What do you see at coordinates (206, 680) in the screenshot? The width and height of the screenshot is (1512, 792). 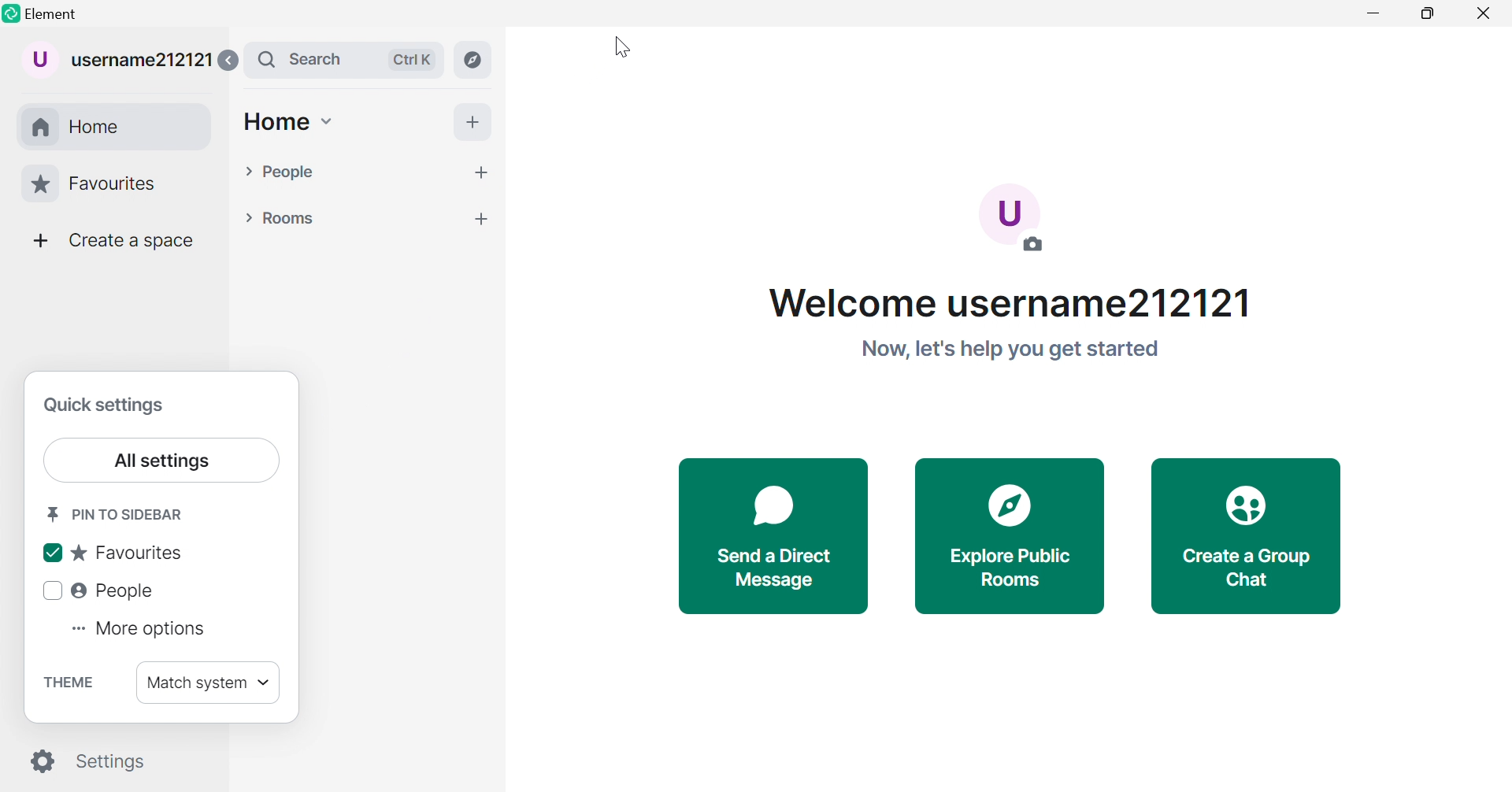 I see `Match system` at bounding box center [206, 680].